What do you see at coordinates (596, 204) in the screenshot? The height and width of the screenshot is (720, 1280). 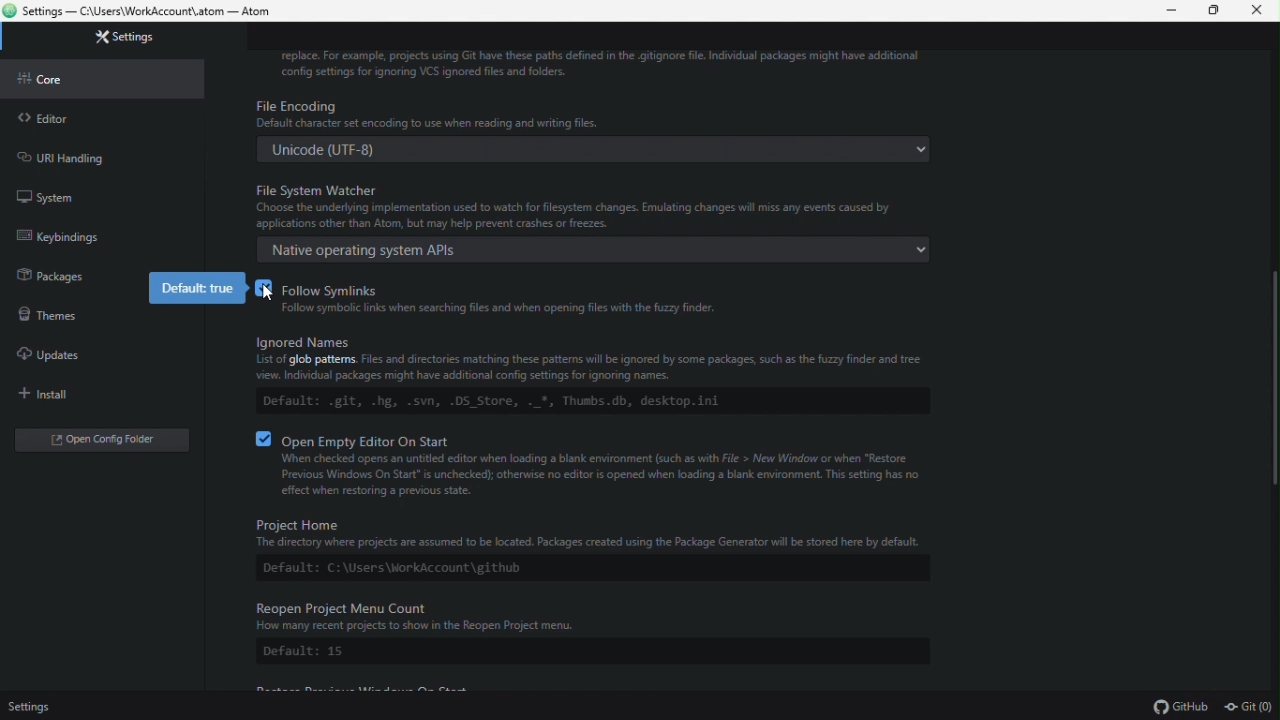 I see `file System watcher` at bounding box center [596, 204].